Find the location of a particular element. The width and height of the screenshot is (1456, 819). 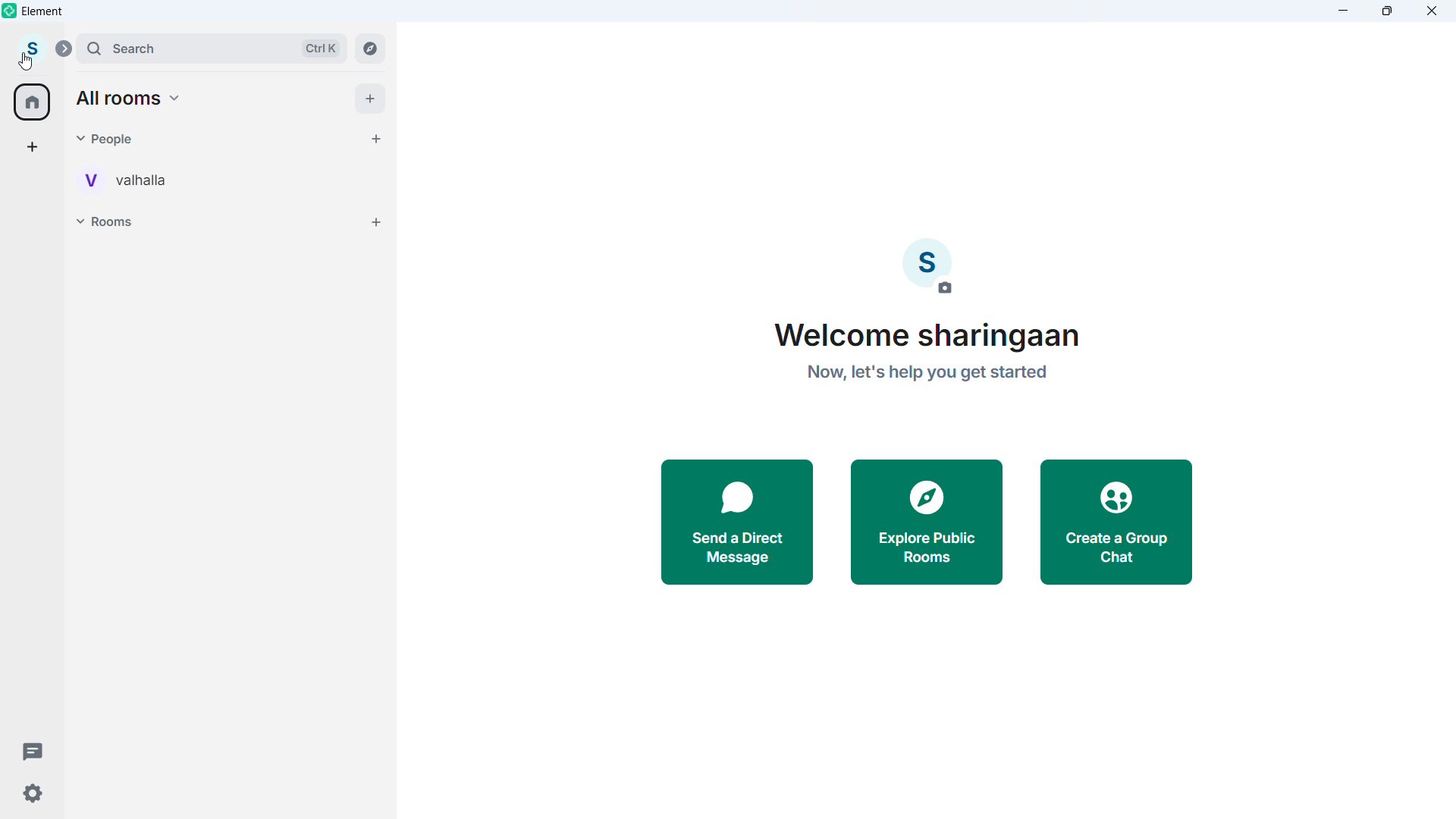

All Rooms is located at coordinates (134, 99).